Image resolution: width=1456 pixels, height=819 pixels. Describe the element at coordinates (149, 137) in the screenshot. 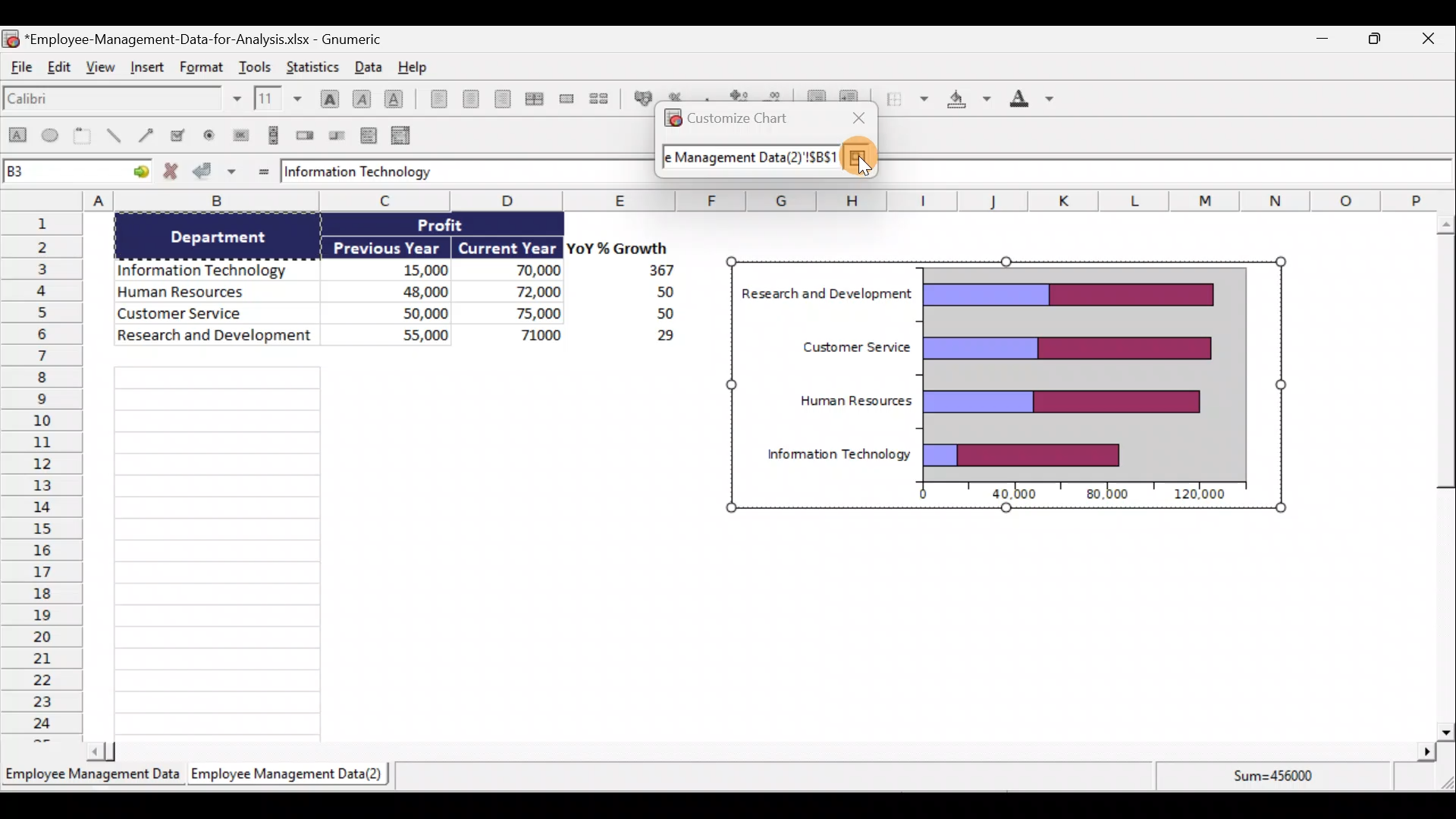

I see `Create an arrow object` at that location.